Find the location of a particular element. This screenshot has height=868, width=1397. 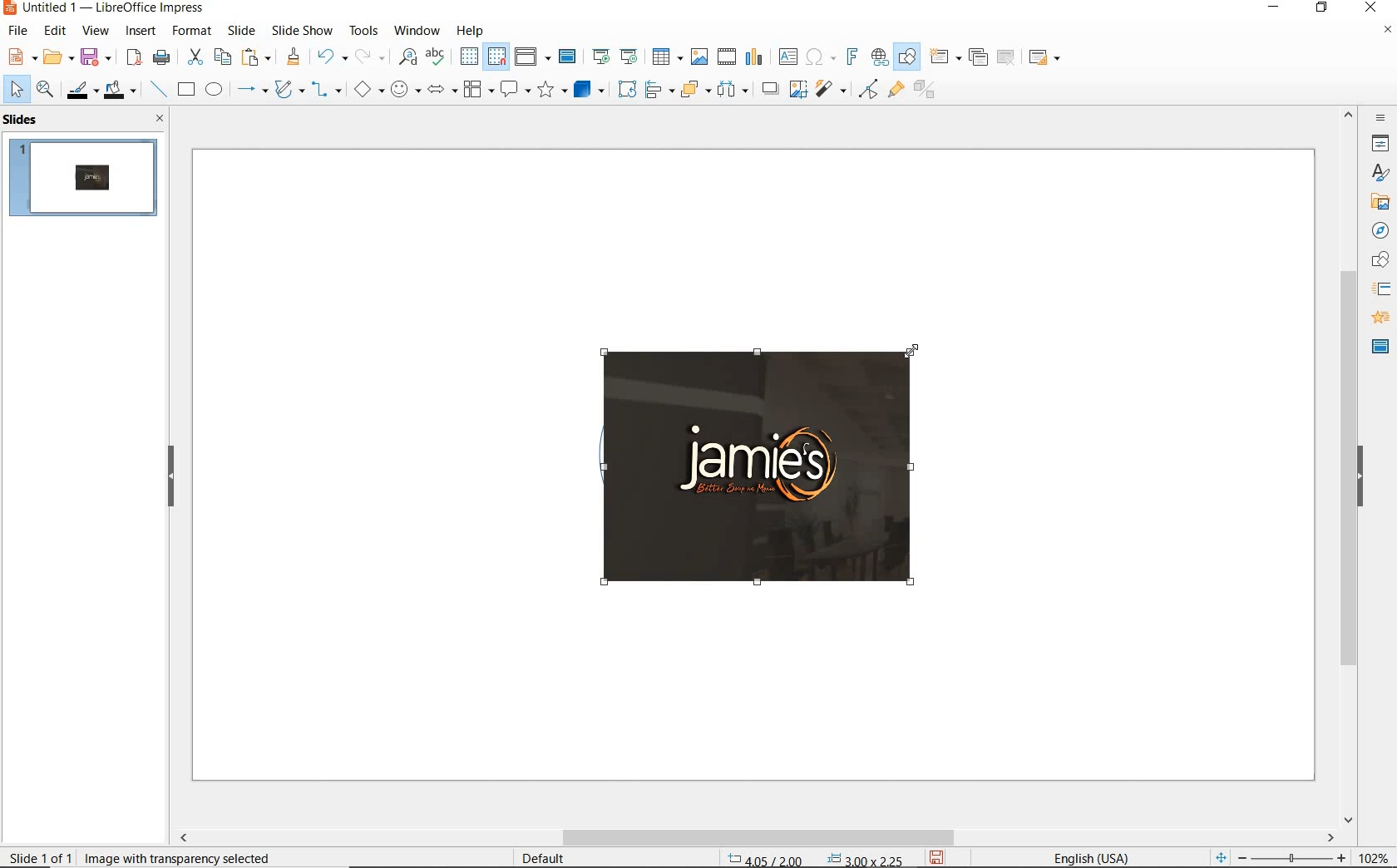

block arrows is located at coordinates (439, 91).